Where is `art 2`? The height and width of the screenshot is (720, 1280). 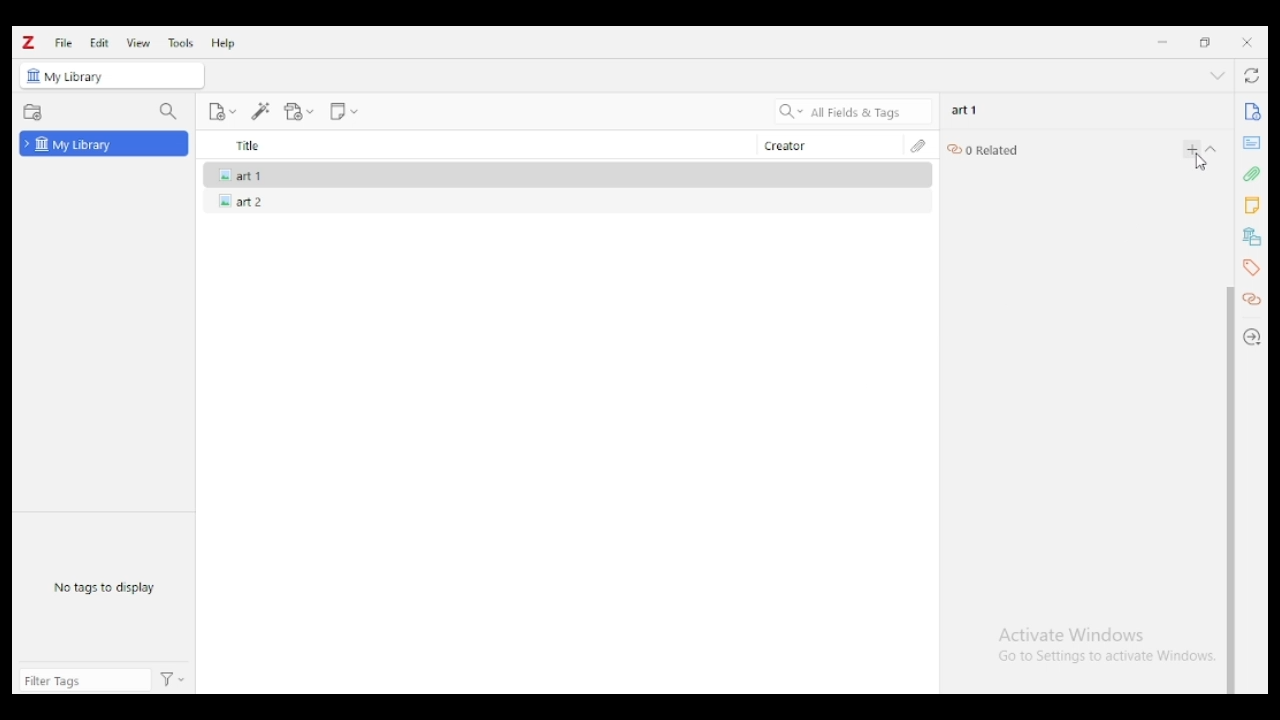 art 2 is located at coordinates (237, 201).